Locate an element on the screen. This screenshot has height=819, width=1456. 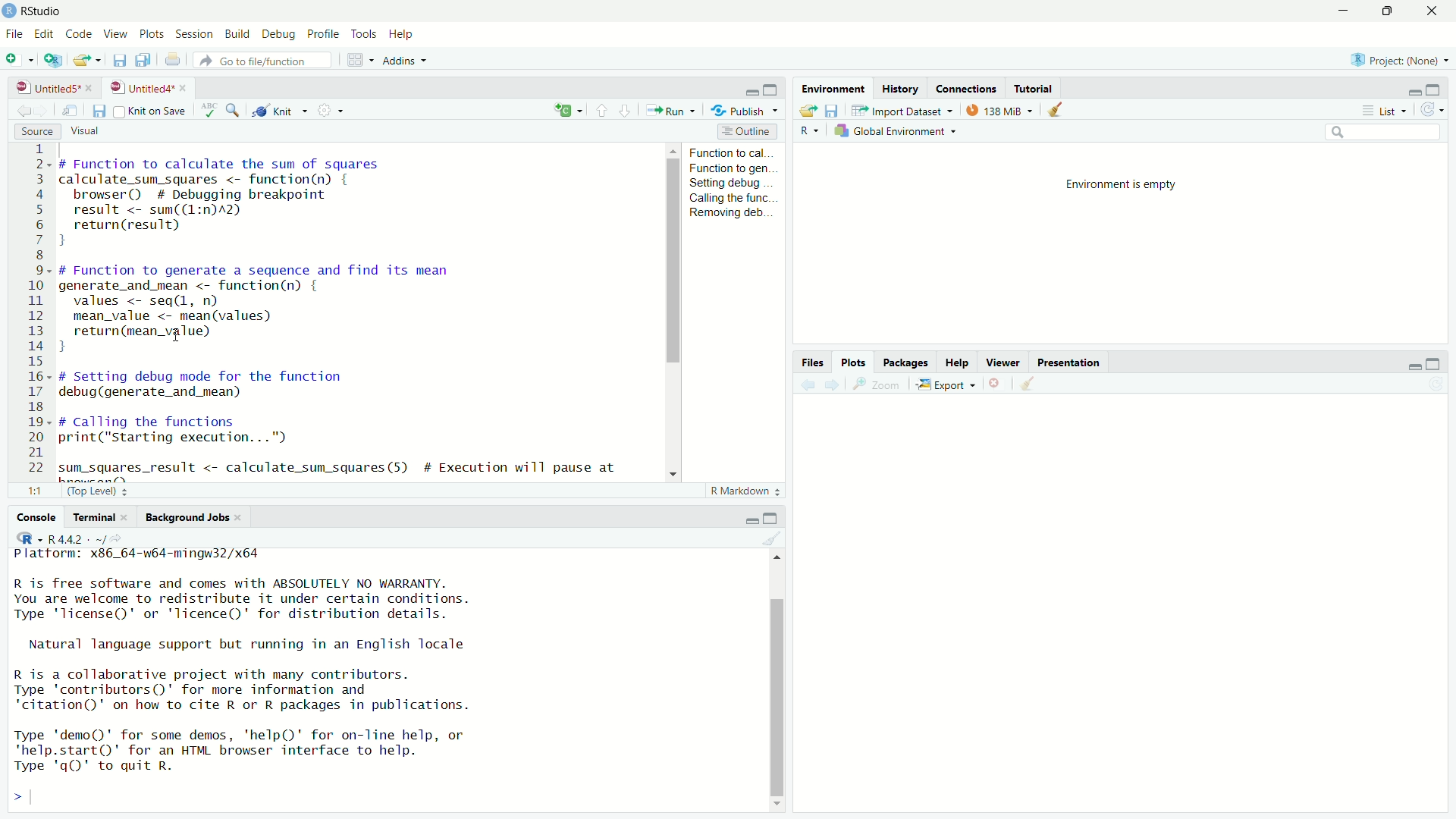
close is located at coordinates (127, 516).